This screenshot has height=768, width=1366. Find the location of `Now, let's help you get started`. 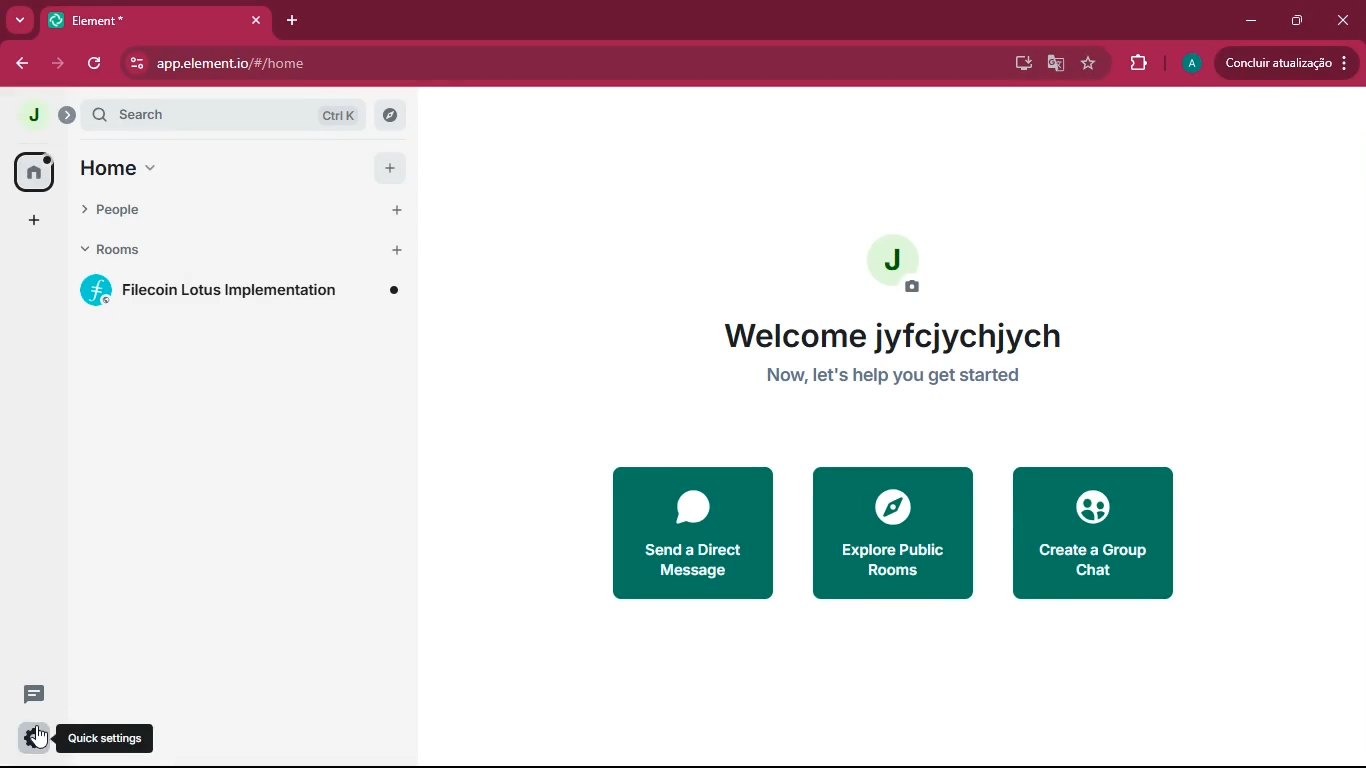

Now, let's help you get started is located at coordinates (893, 374).